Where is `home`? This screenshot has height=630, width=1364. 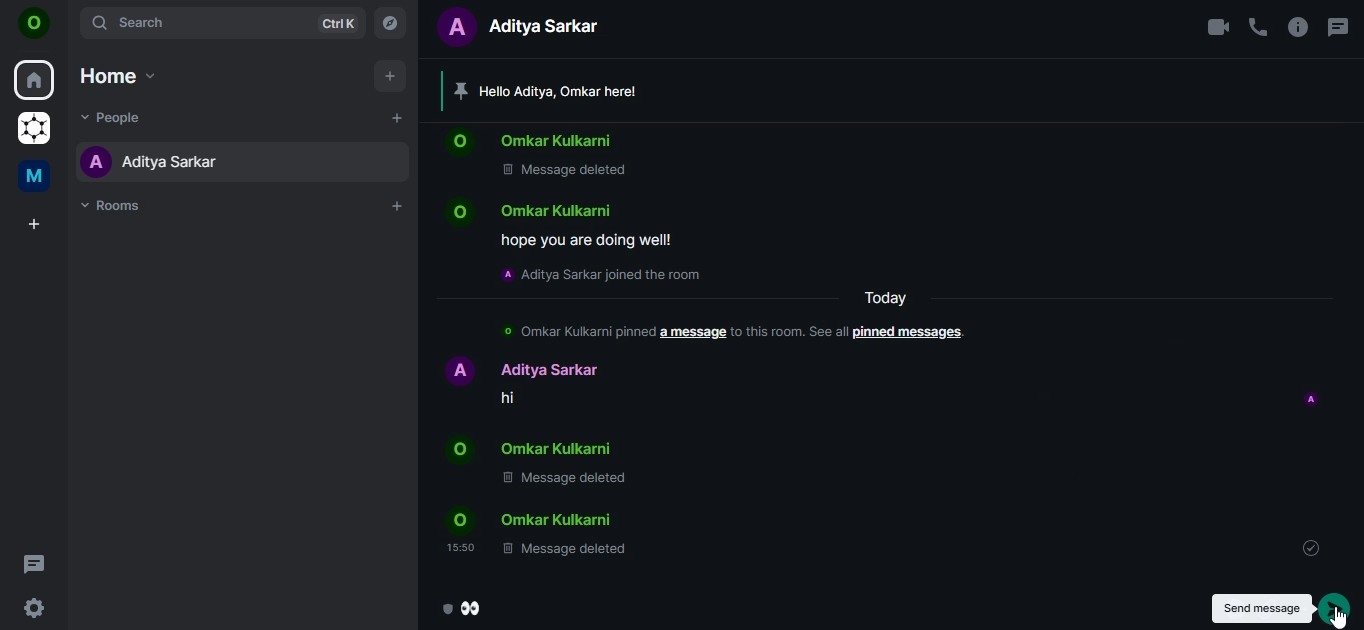
home is located at coordinates (34, 80).